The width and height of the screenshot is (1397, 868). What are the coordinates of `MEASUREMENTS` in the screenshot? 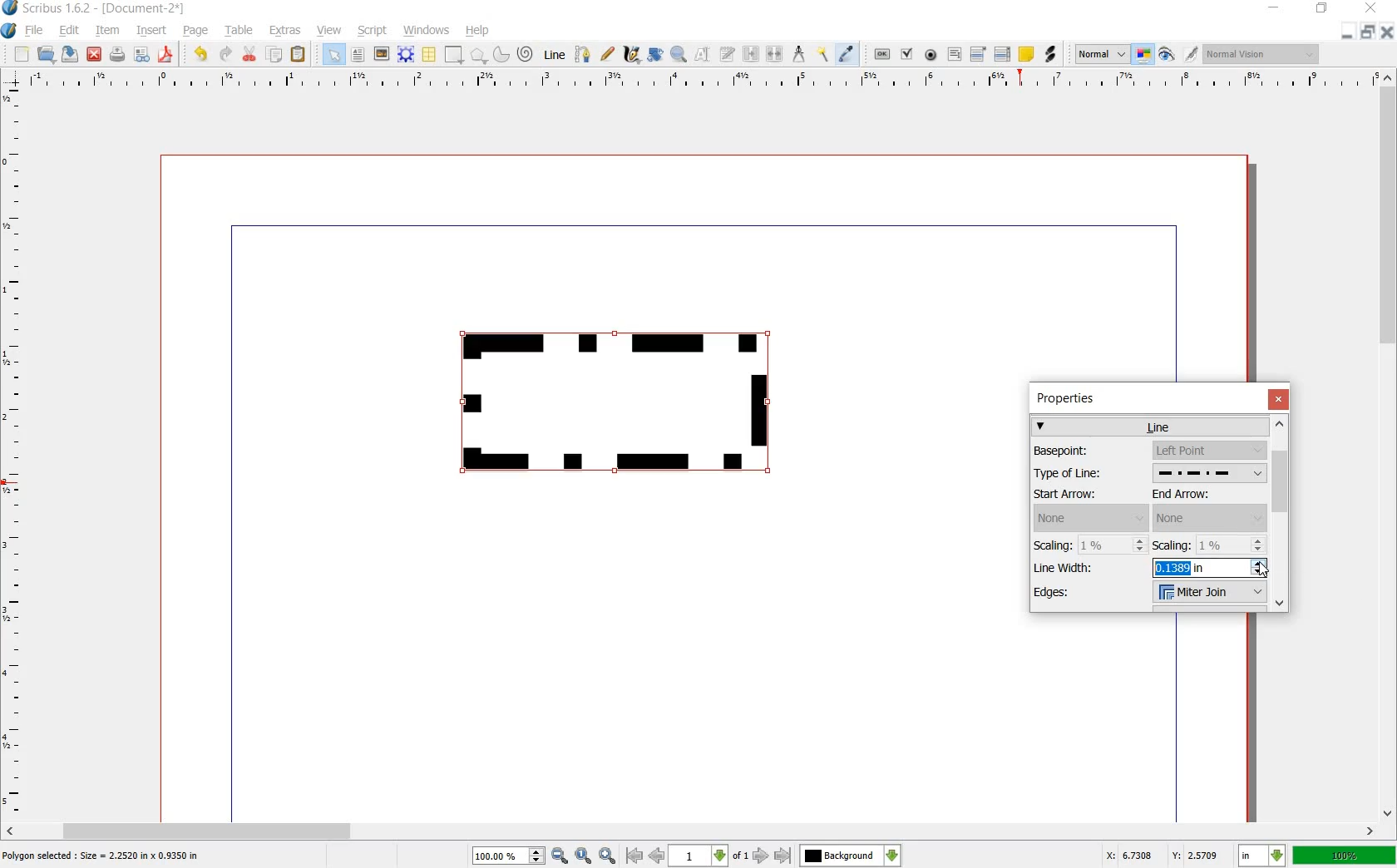 It's located at (798, 54).